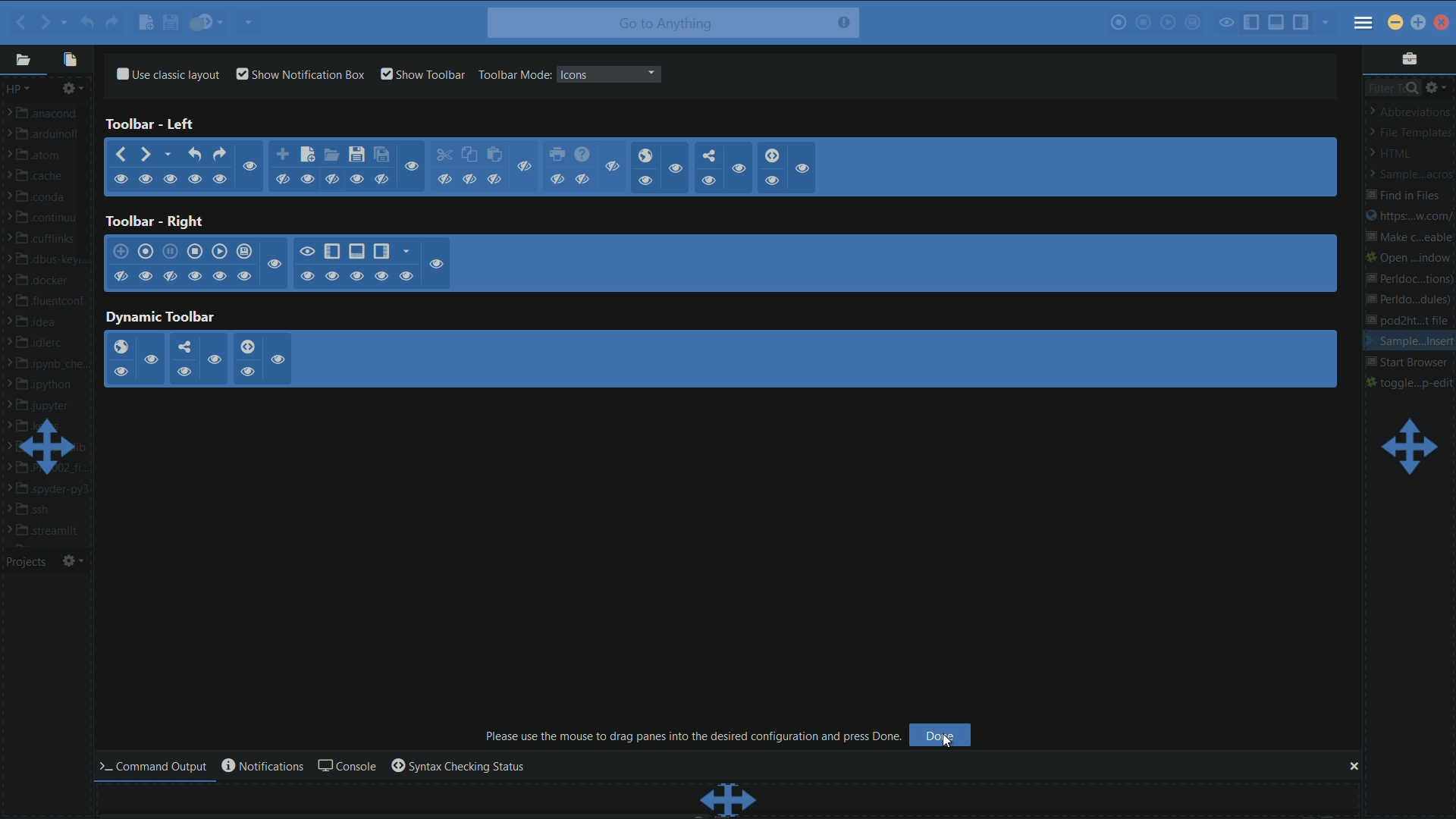 The image size is (1456, 819). What do you see at coordinates (121, 180) in the screenshot?
I see `show/hide` at bounding box center [121, 180].